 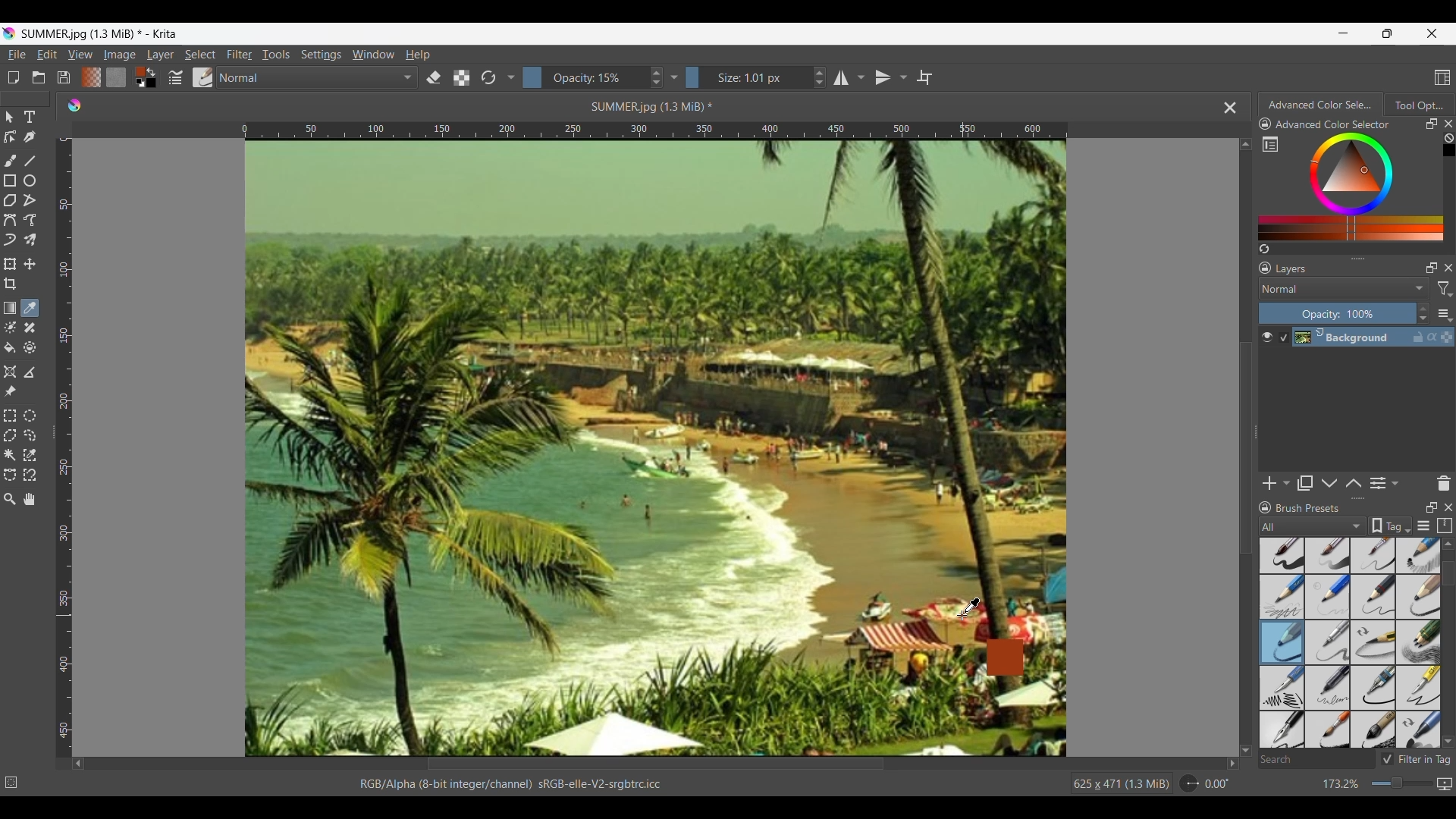 What do you see at coordinates (1267, 337) in the screenshot?
I see `Make layer visible` at bounding box center [1267, 337].